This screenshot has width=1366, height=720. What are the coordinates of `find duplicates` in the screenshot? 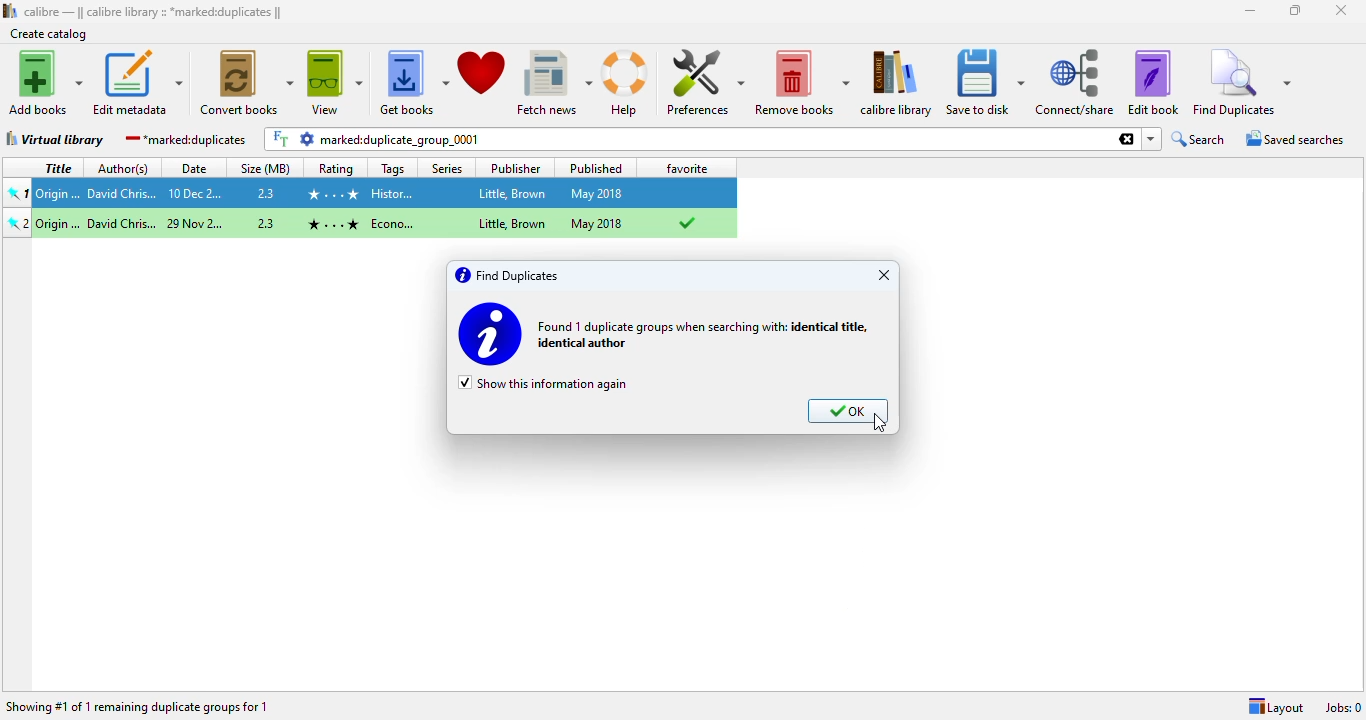 It's located at (507, 275).